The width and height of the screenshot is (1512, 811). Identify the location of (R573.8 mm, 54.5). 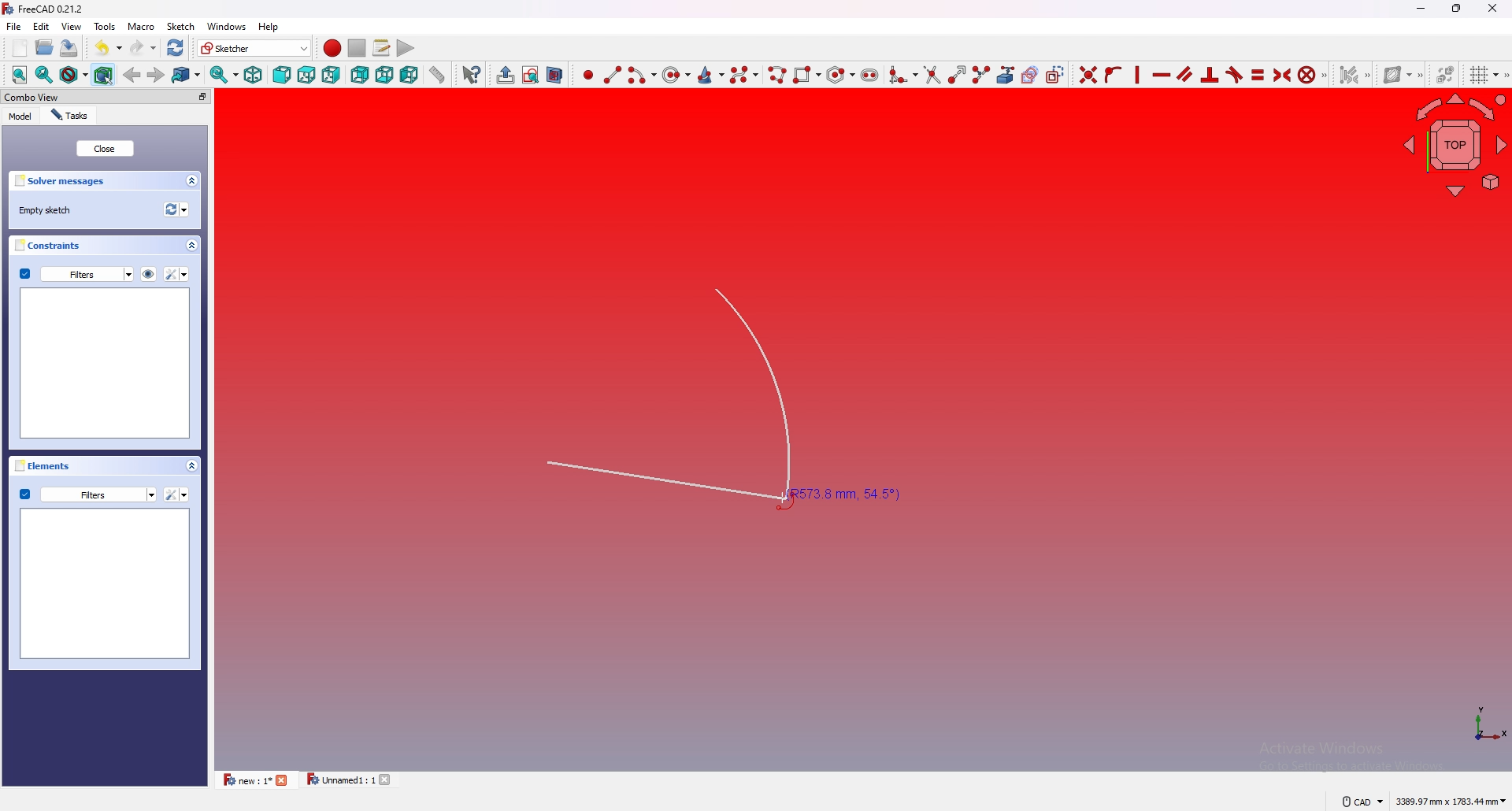
(688, 399).